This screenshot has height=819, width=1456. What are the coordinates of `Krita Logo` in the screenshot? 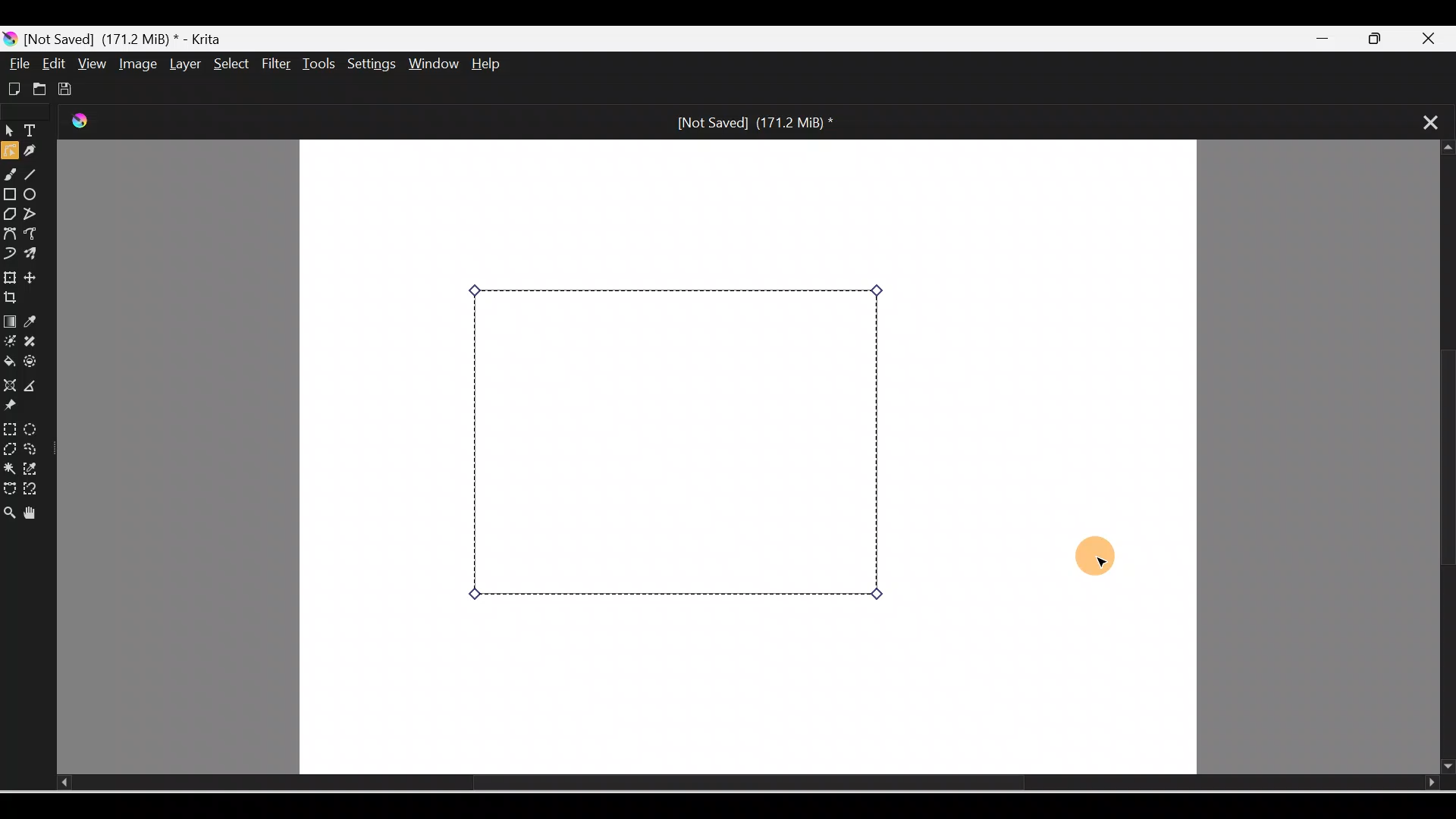 It's located at (83, 122).